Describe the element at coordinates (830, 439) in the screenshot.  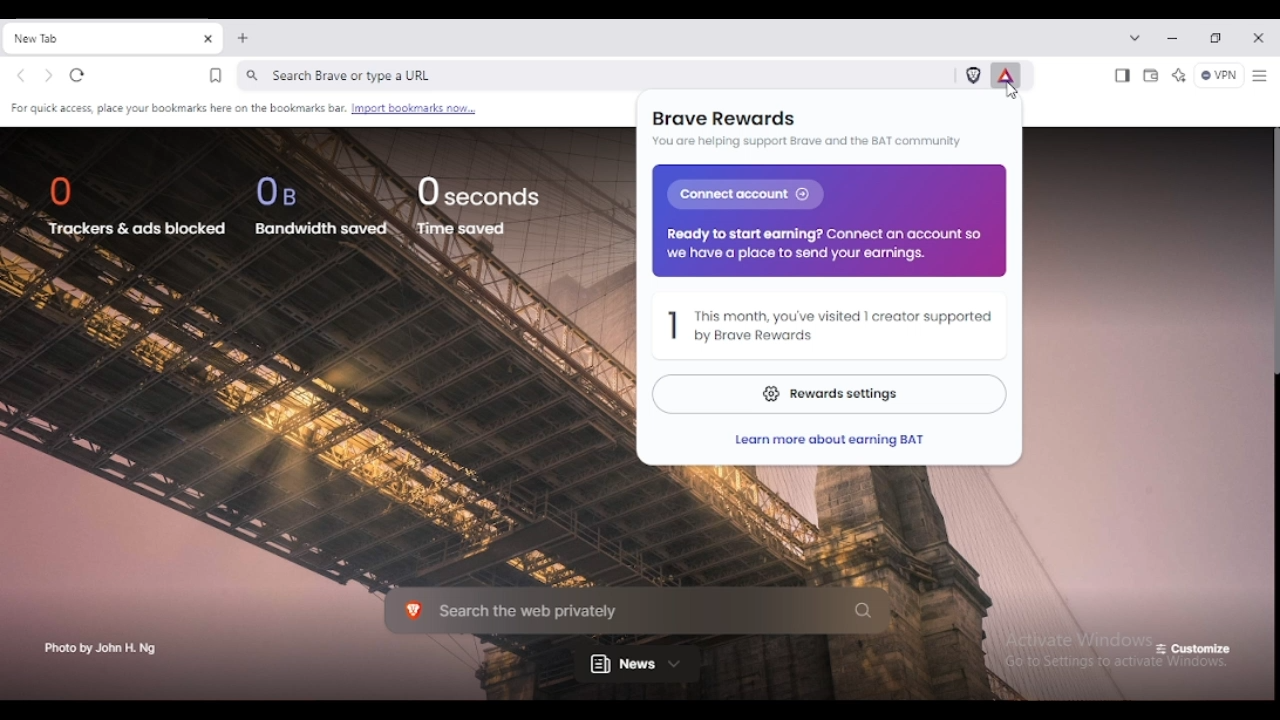
I see `learn more about earning BAT` at that location.